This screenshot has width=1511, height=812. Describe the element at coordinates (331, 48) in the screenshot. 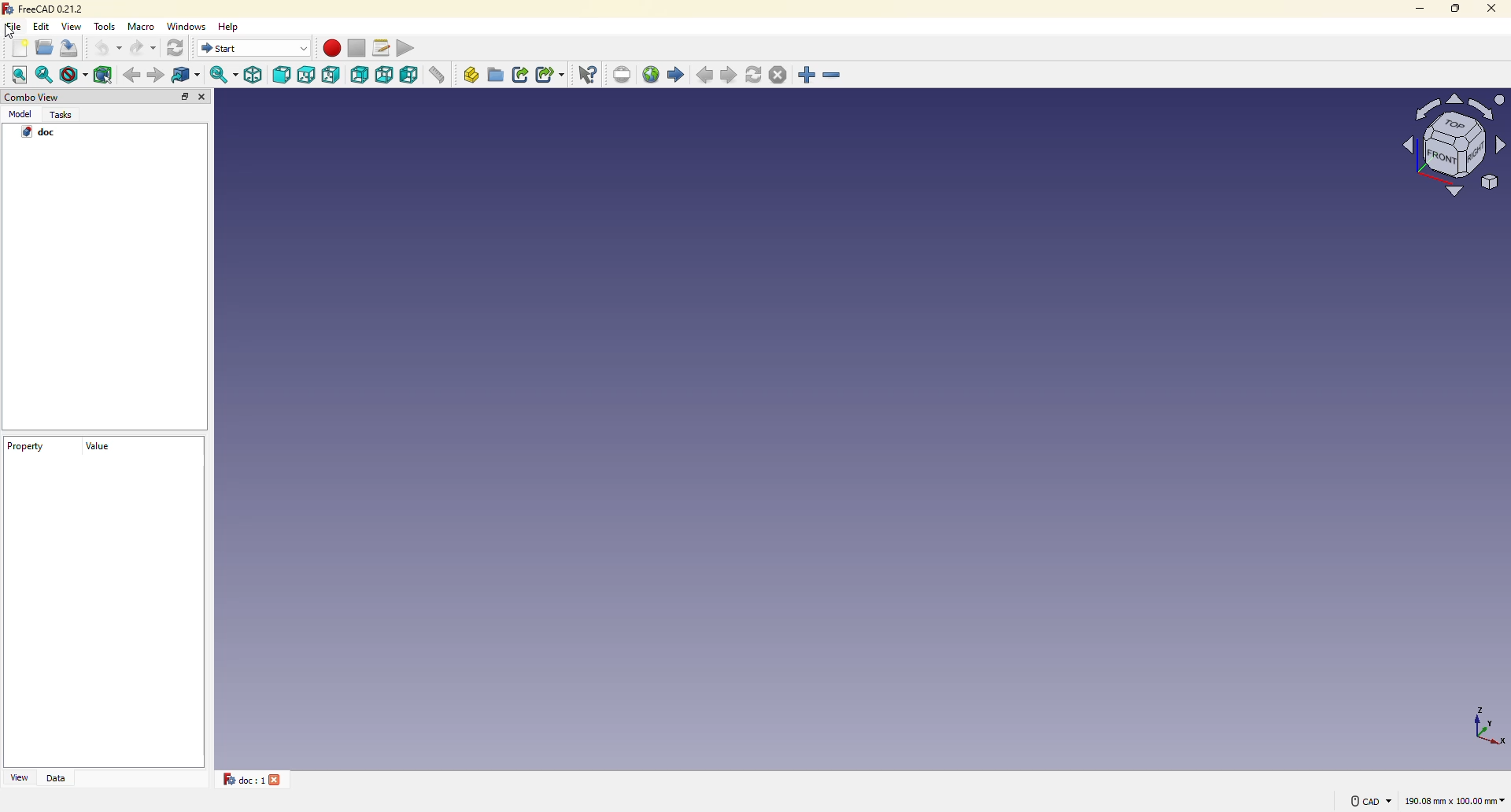

I see `macro recording` at that location.